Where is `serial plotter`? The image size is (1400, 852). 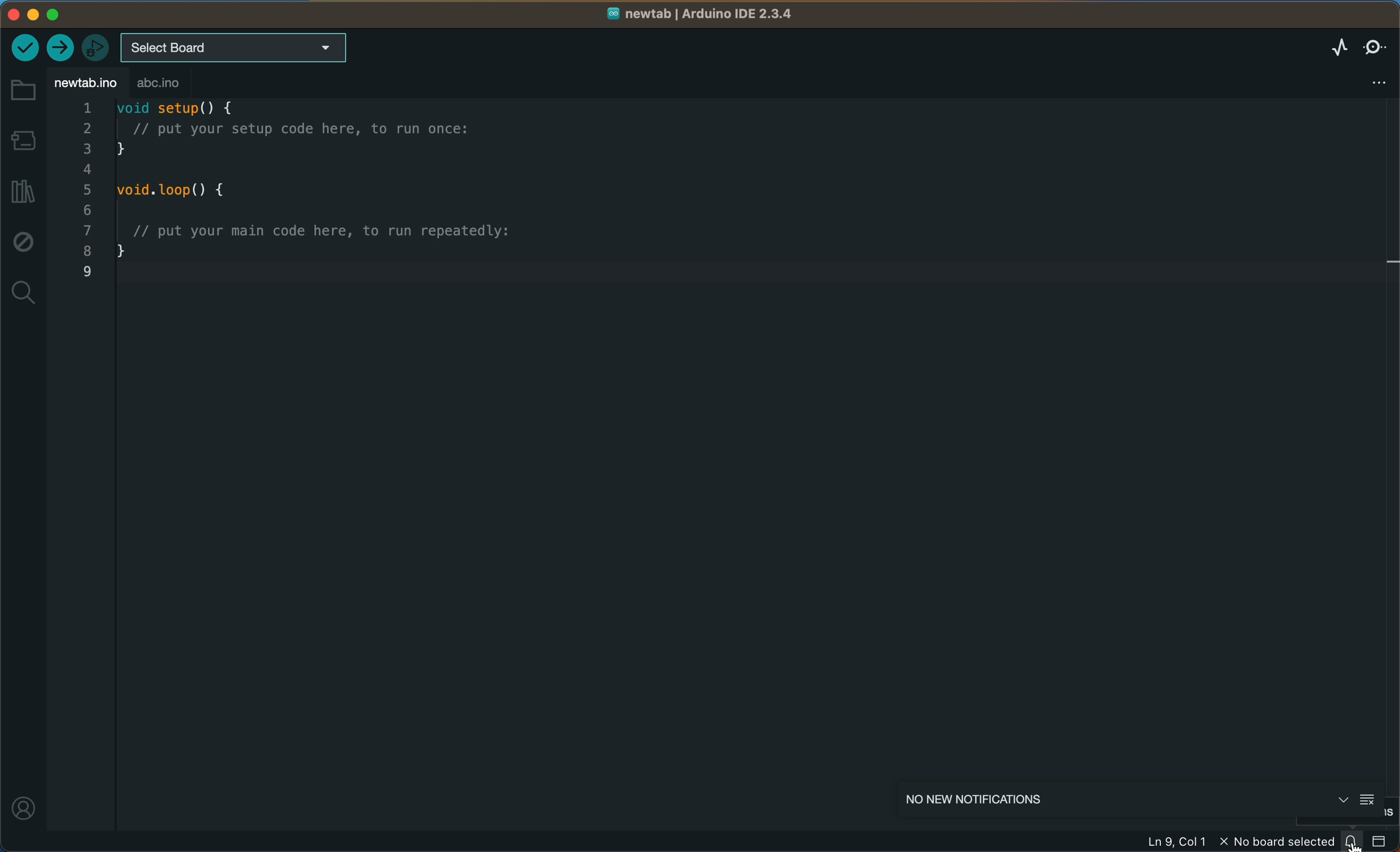 serial plotter is located at coordinates (1336, 48).